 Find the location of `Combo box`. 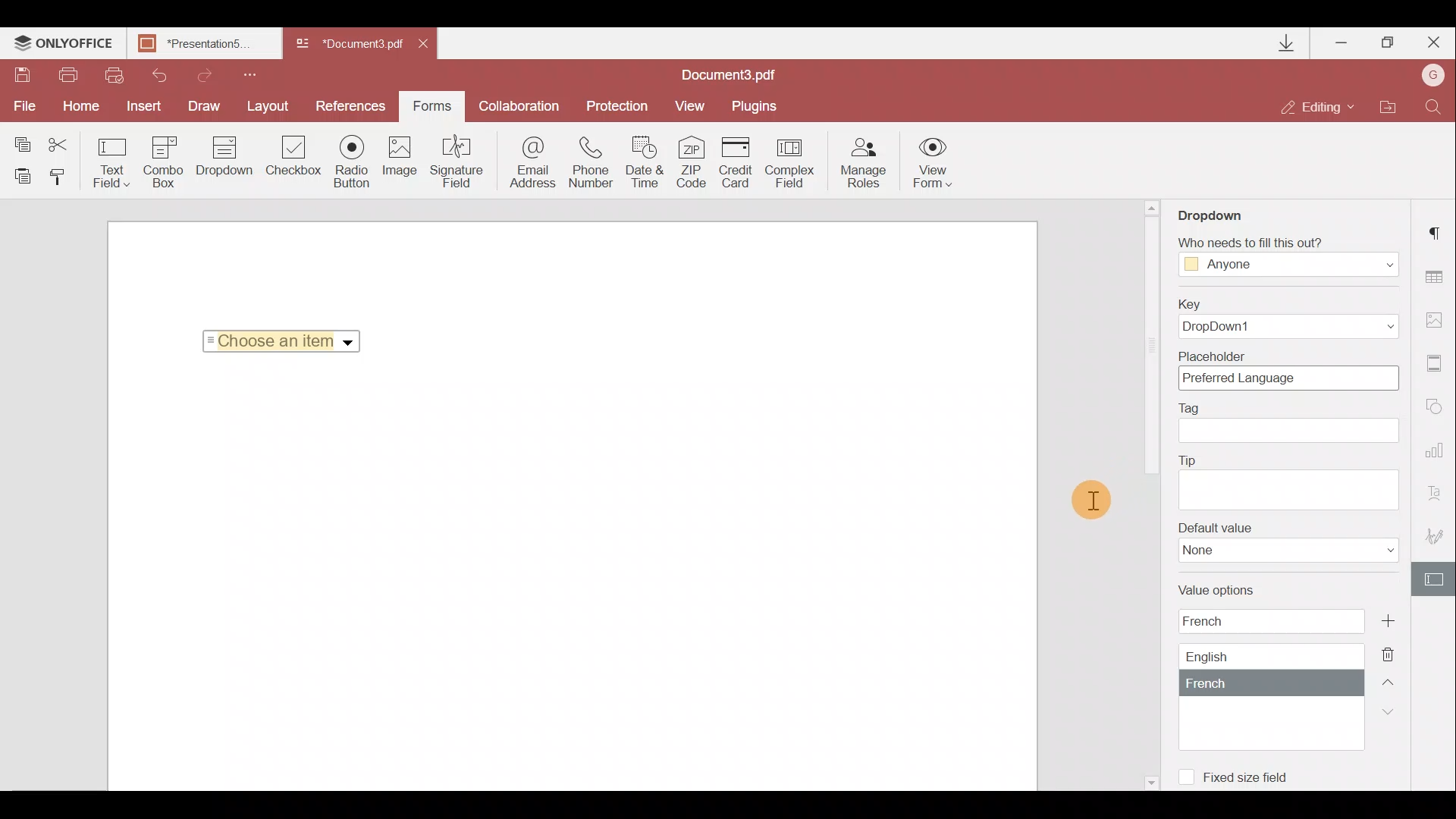

Combo box is located at coordinates (164, 159).